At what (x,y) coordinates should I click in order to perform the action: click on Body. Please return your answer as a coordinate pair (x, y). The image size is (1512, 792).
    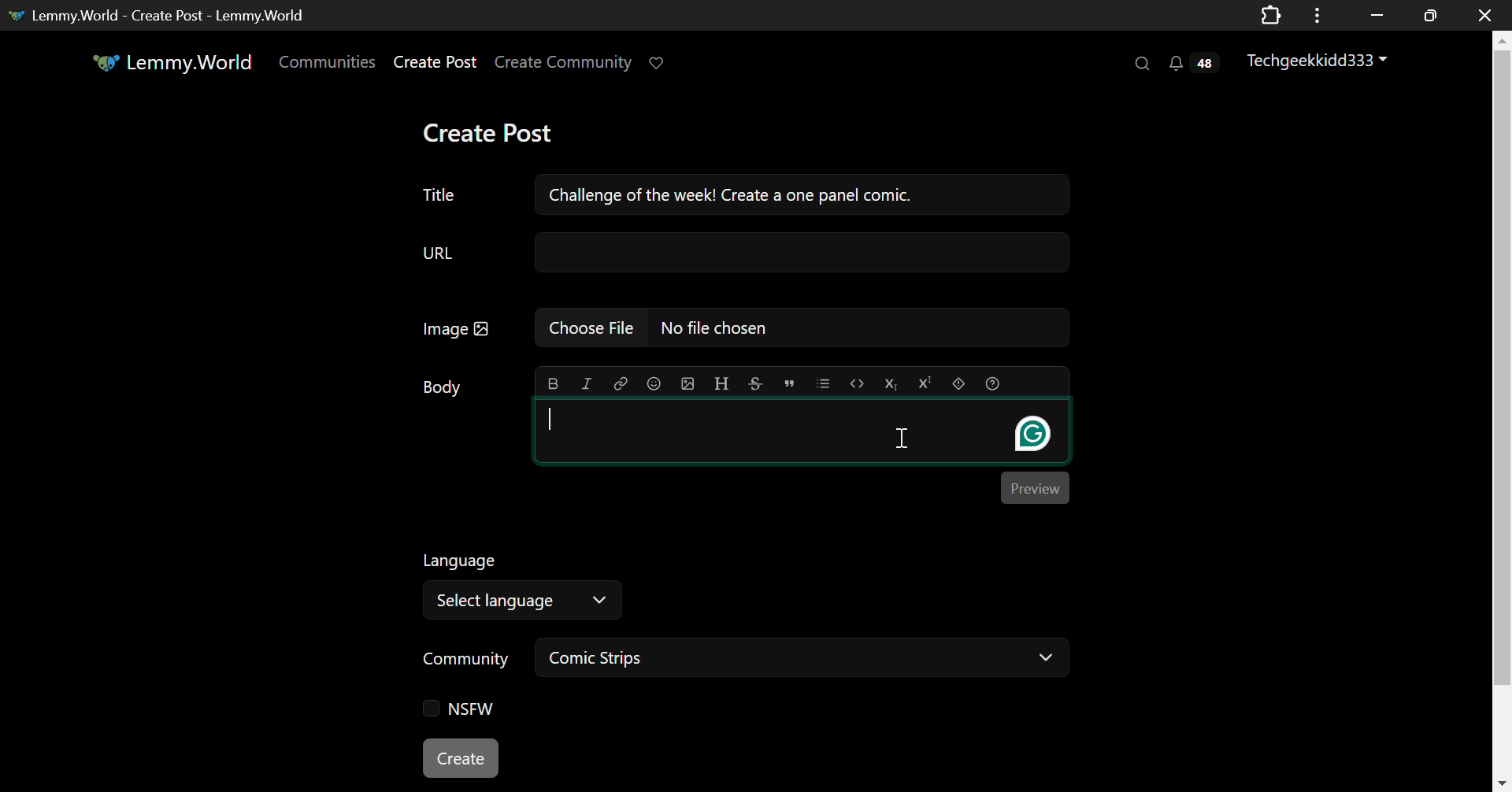
    Looking at the image, I should click on (443, 387).